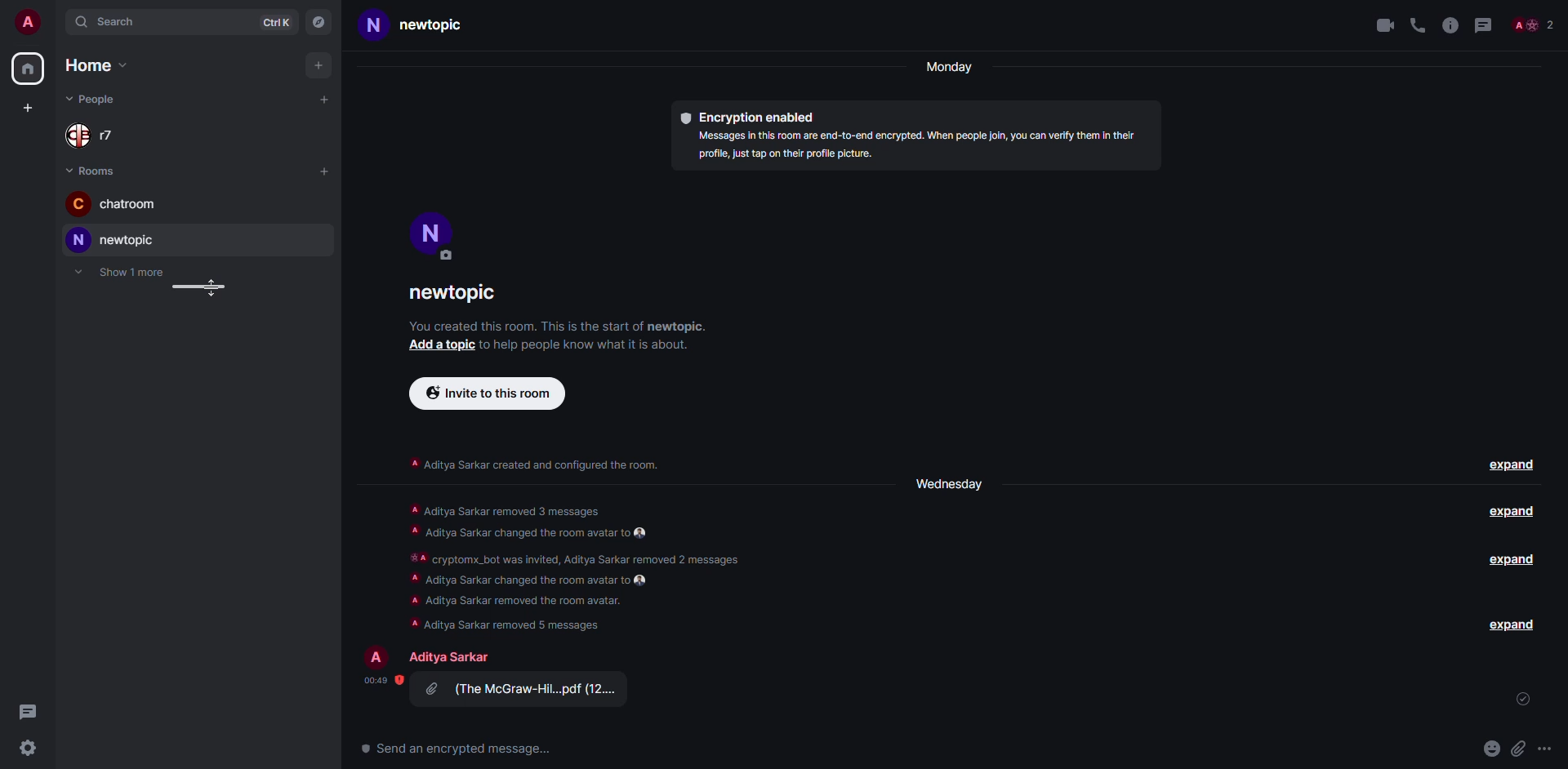 Image resolution: width=1568 pixels, height=769 pixels. What do you see at coordinates (461, 750) in the screenshot?
I see `send an encrypted message` at bounding box center [461, 750].